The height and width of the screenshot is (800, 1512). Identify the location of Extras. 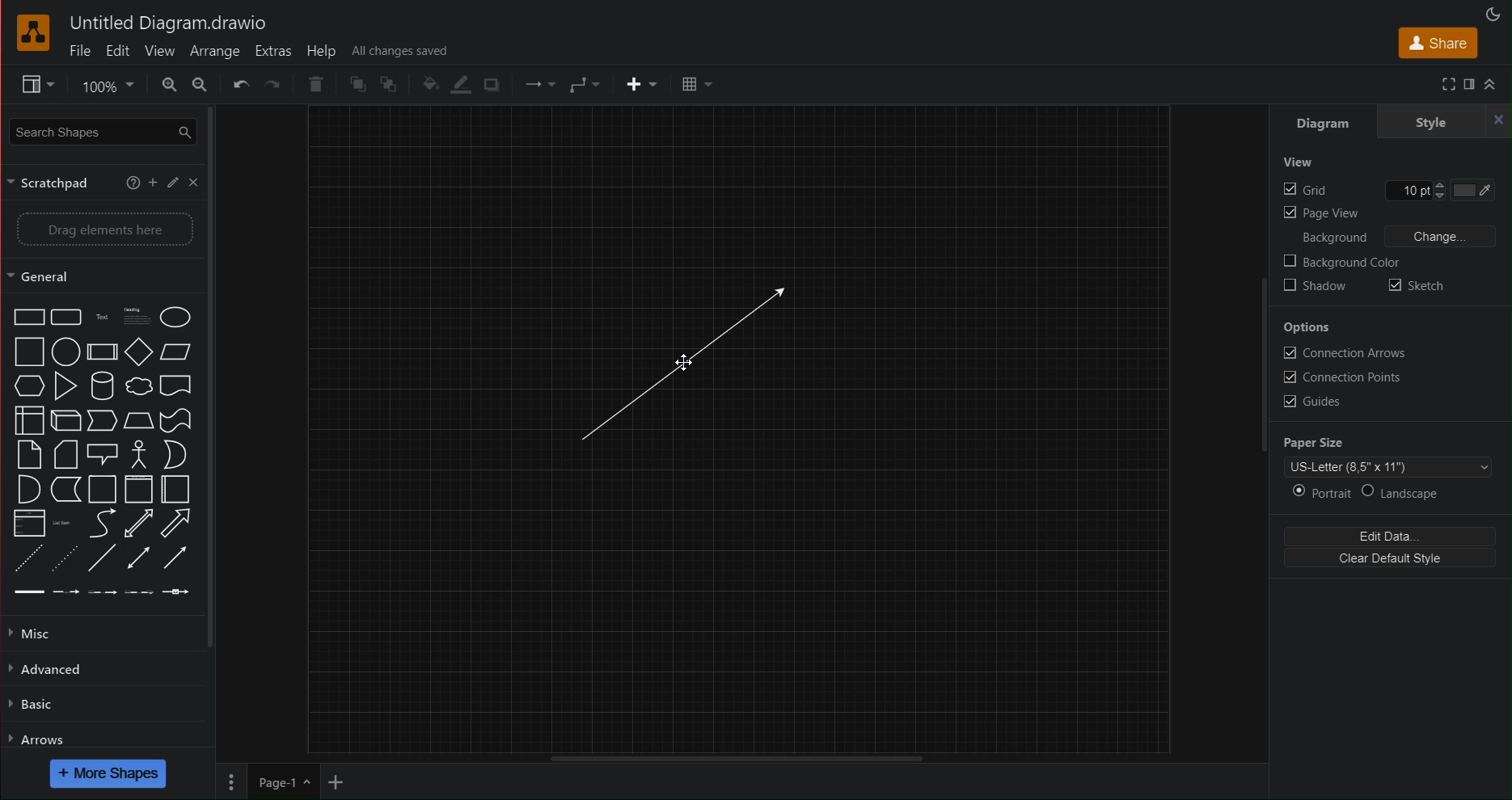
(273, 51).